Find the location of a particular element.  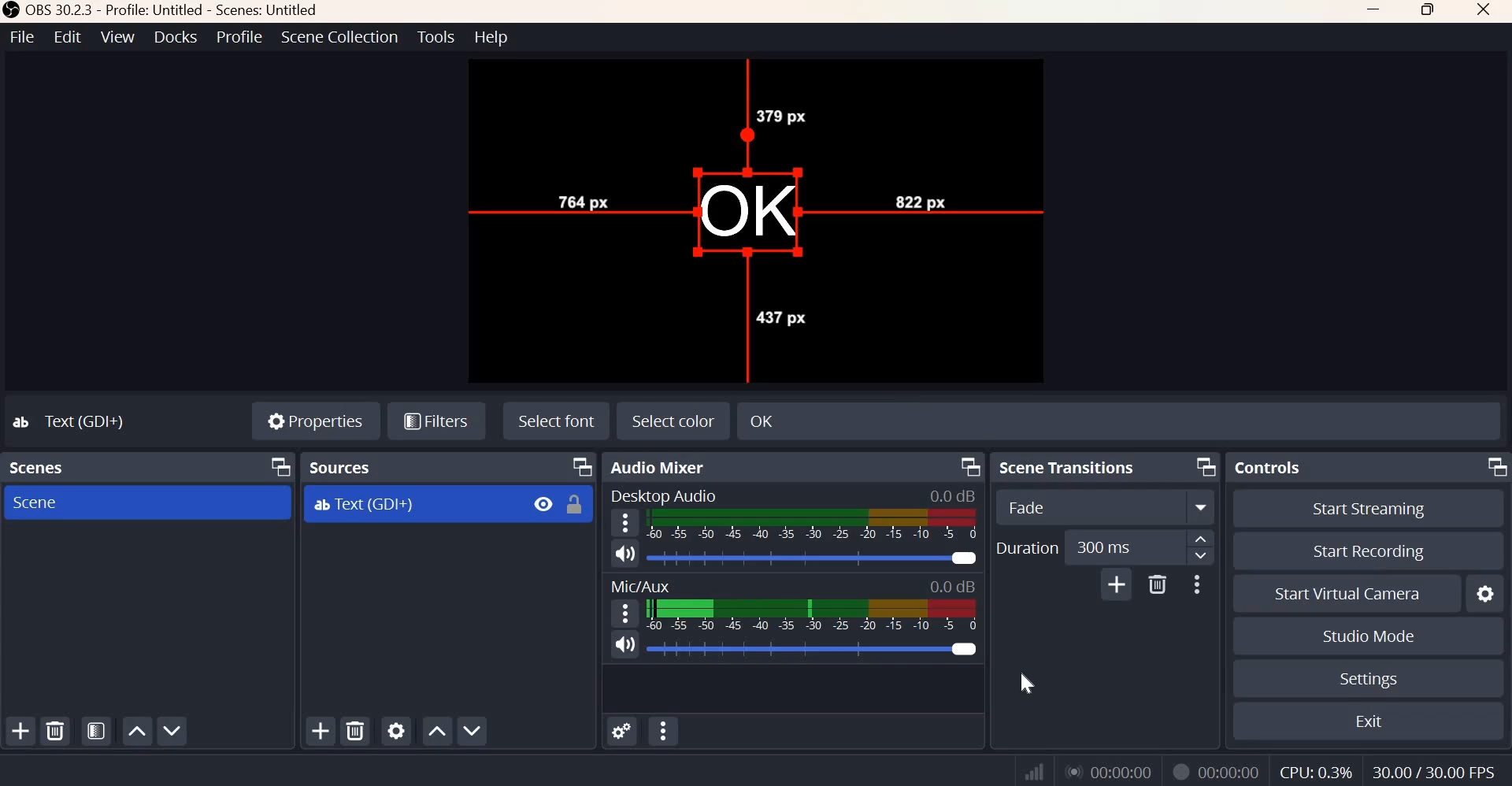

Duration is located at coordinates (1026, 547).